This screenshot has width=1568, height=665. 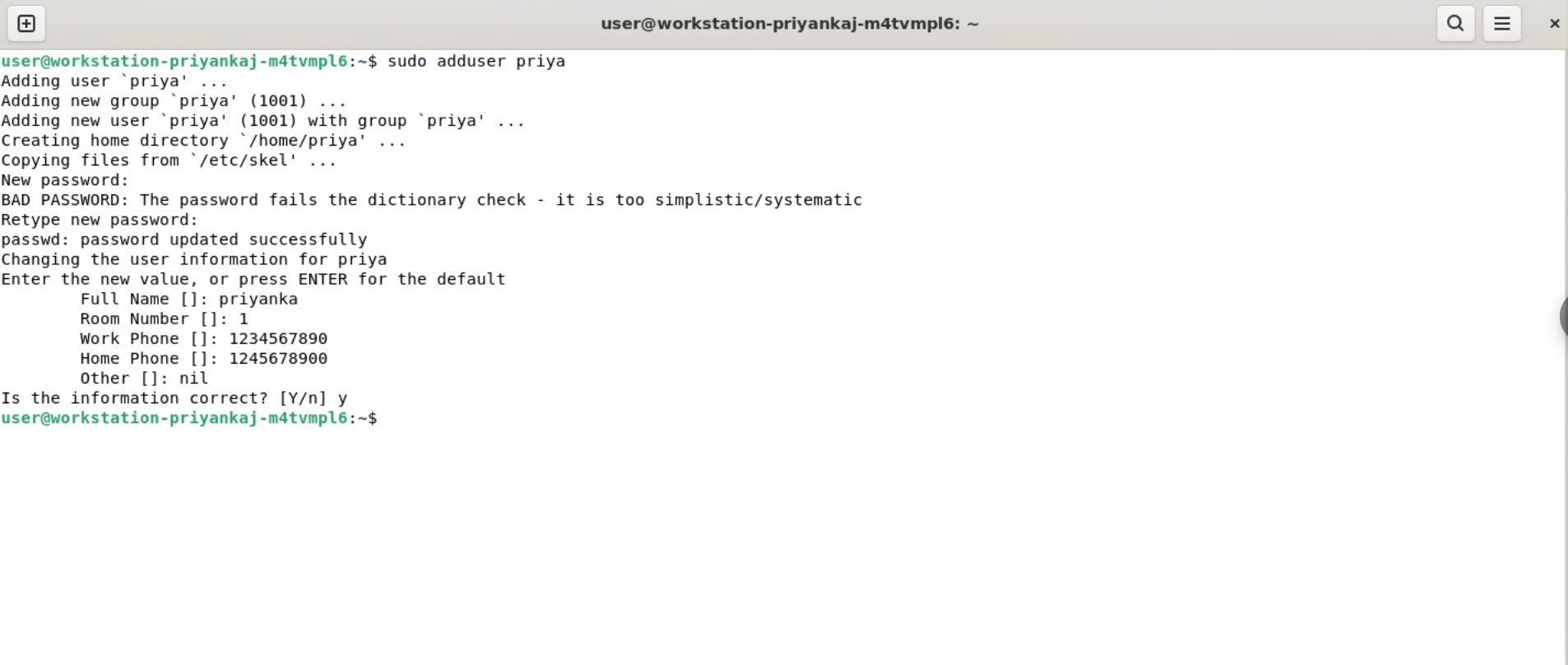 What do you see at coordinates (203, 379) in the screenshot?
I see `nil` at bounding box center [203, 379].